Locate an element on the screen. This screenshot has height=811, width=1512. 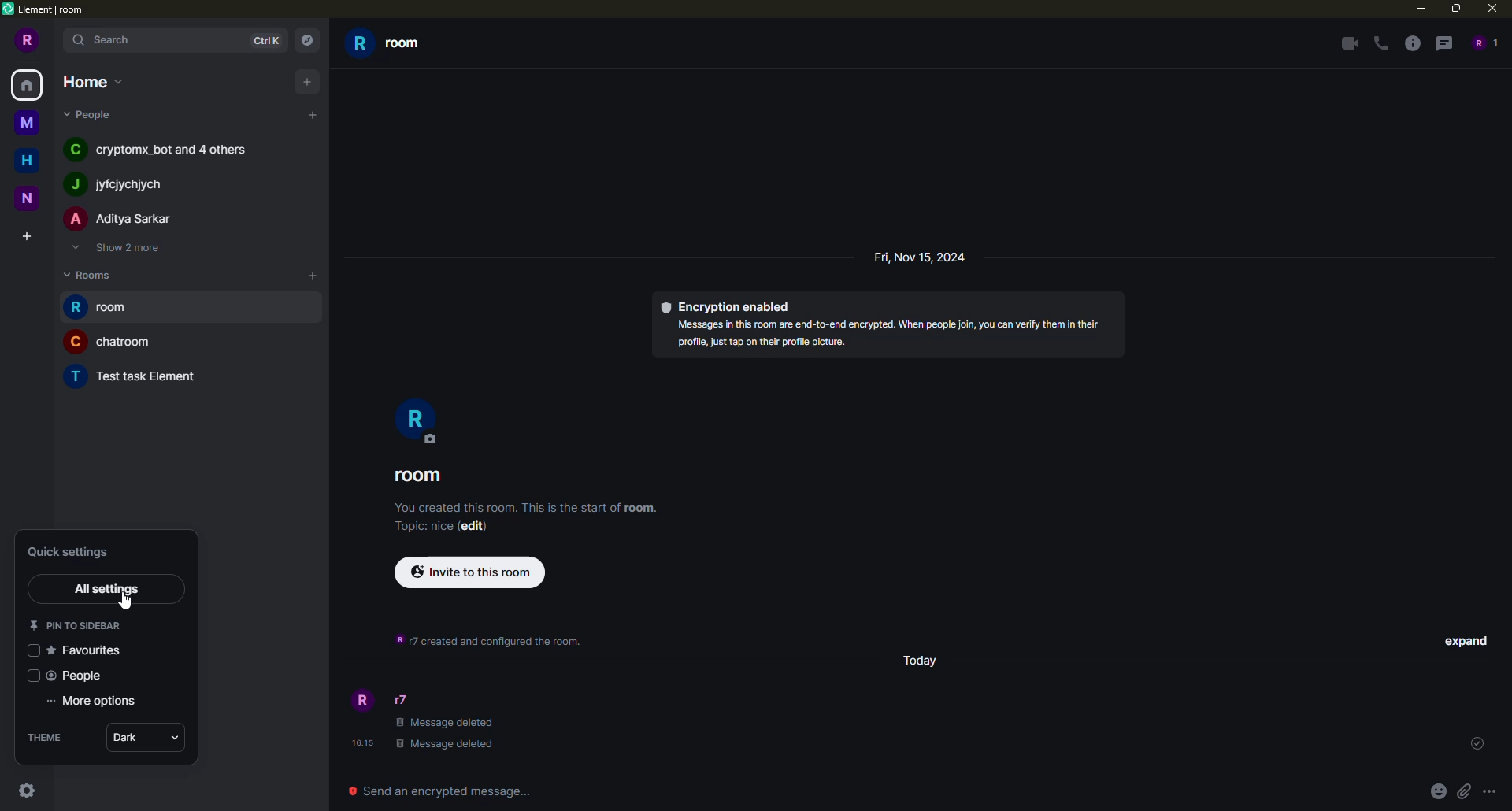
info is located at coordinates (1413, 43).